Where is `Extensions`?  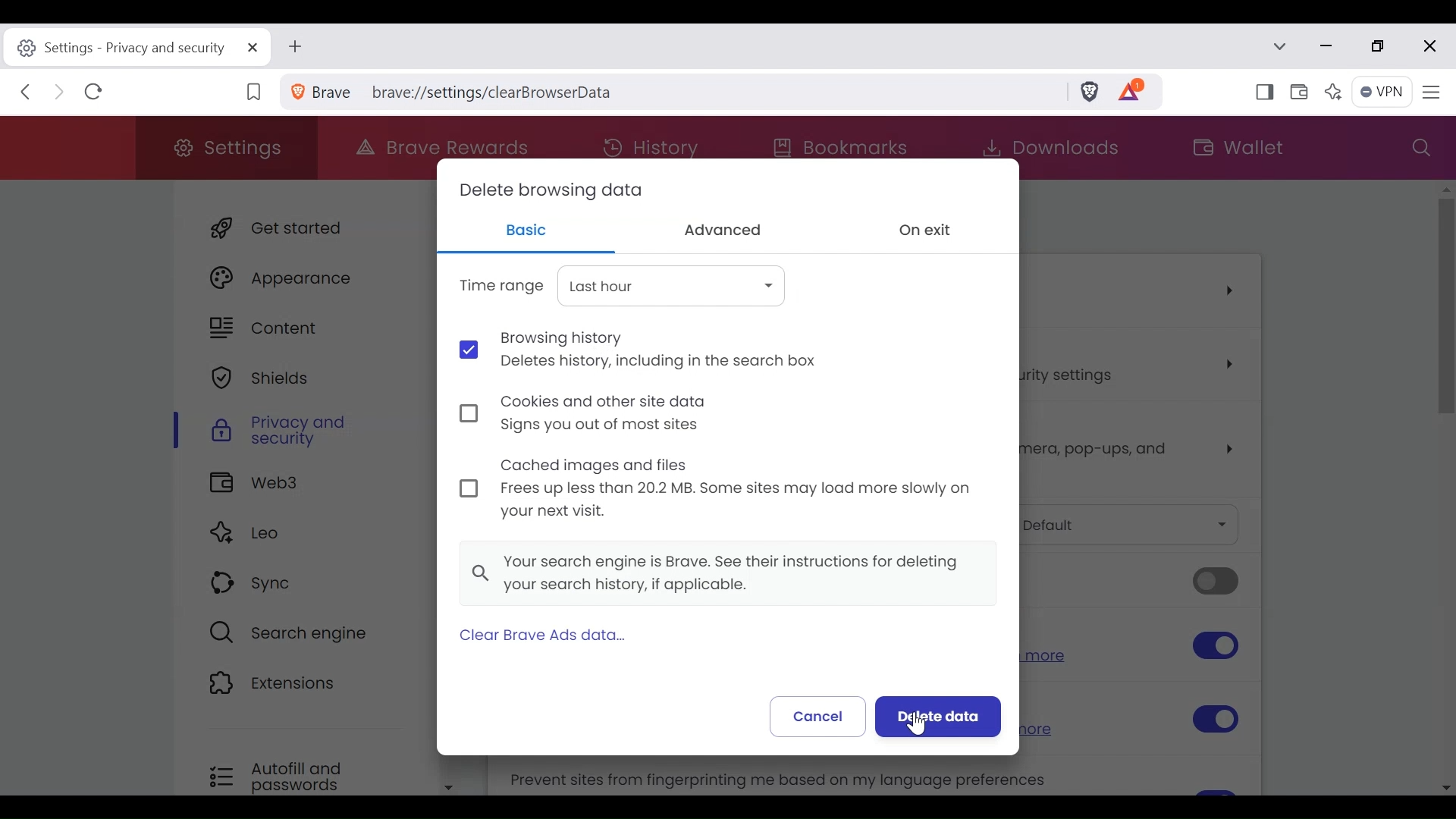 Extensions is located at coordinates (297, 686).